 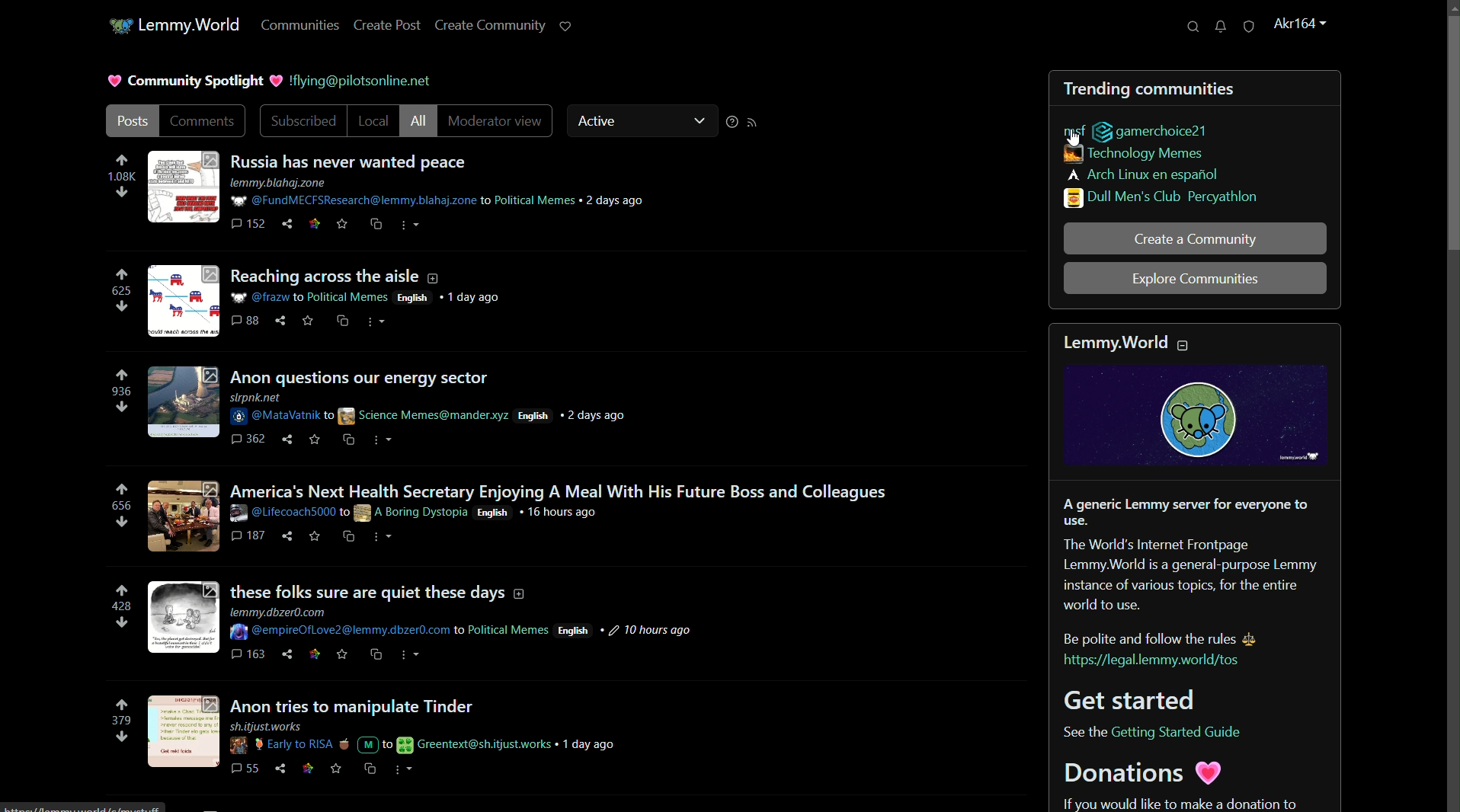 What do you see at coordinates (354, 81) in the screenshot?
I see `text` at bounding box center [354, 81].